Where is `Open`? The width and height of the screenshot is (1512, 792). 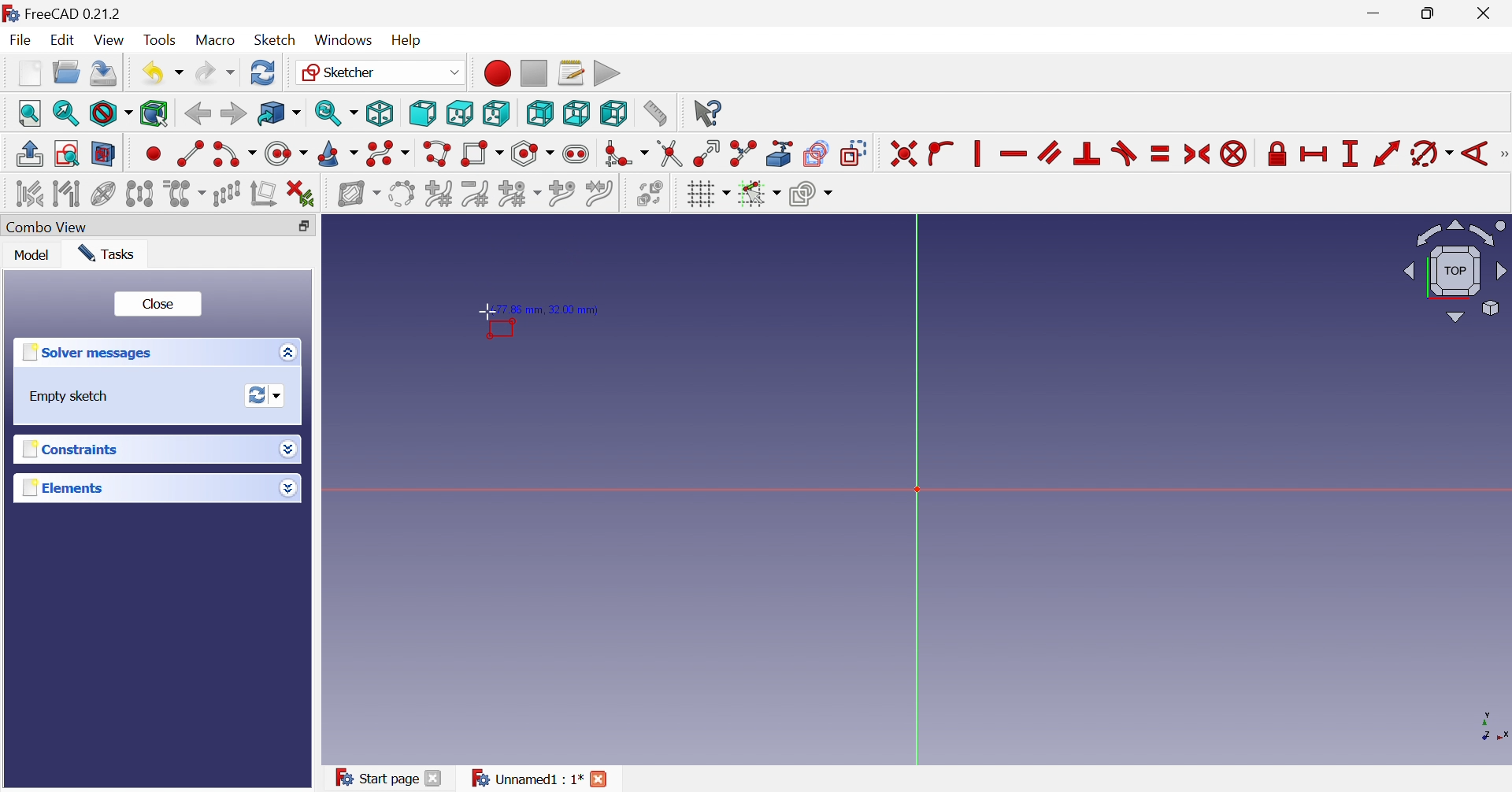
Open is located at coordinates (66, 72).